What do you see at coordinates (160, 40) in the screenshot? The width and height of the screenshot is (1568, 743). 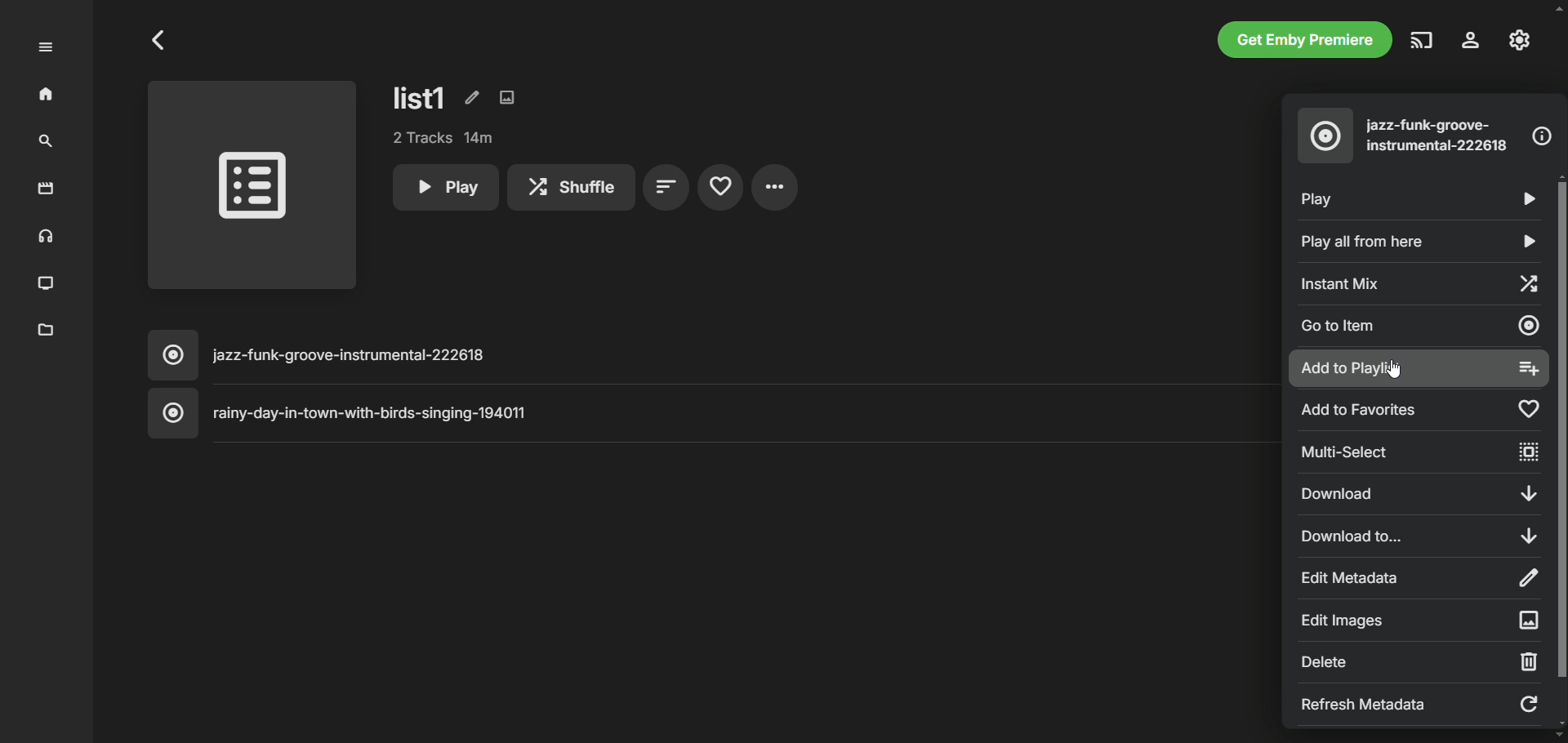 I see `Go to previous page` at bounding box center [160, 40].